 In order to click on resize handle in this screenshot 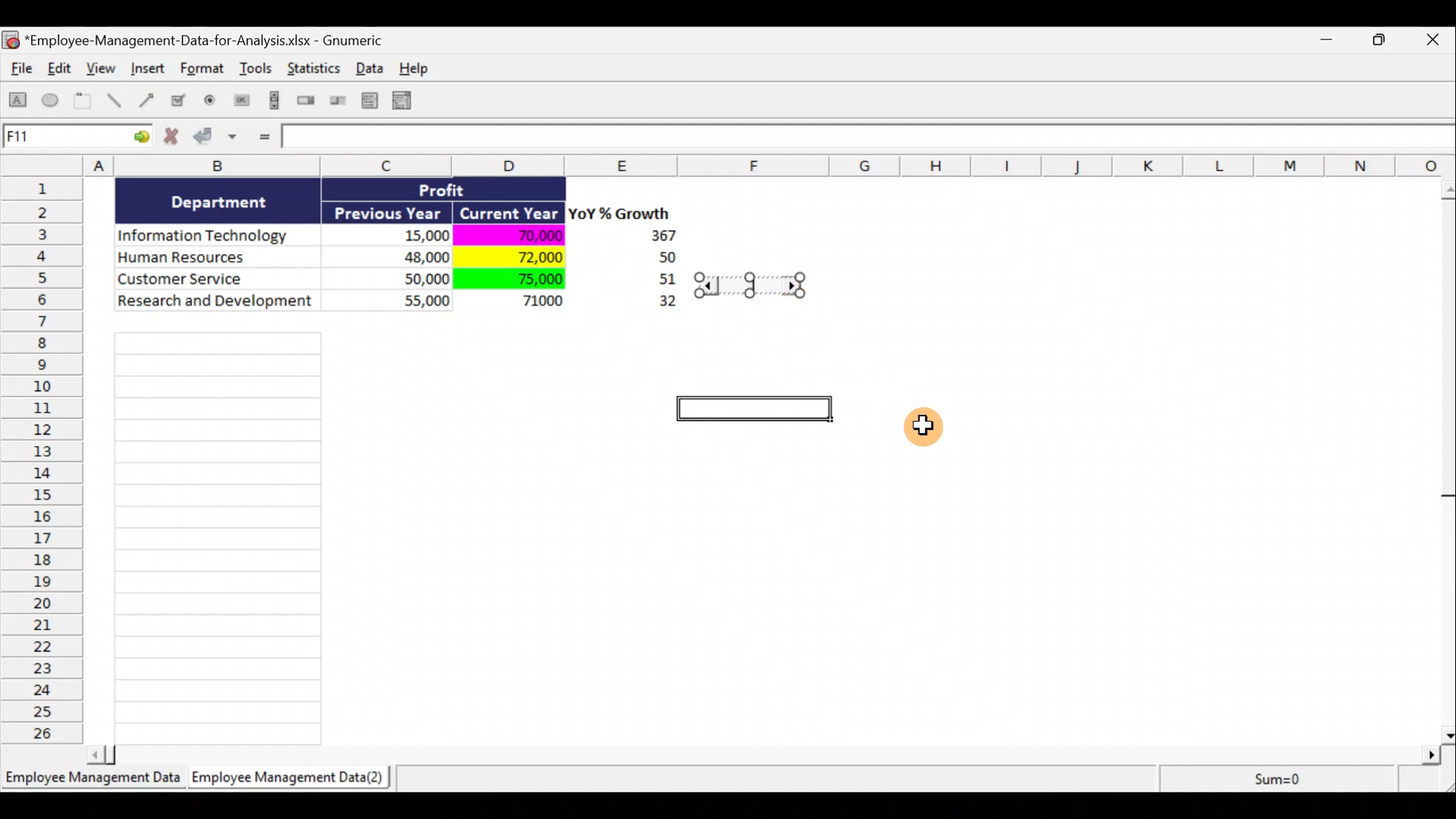, I will do `click(750, 284)`.